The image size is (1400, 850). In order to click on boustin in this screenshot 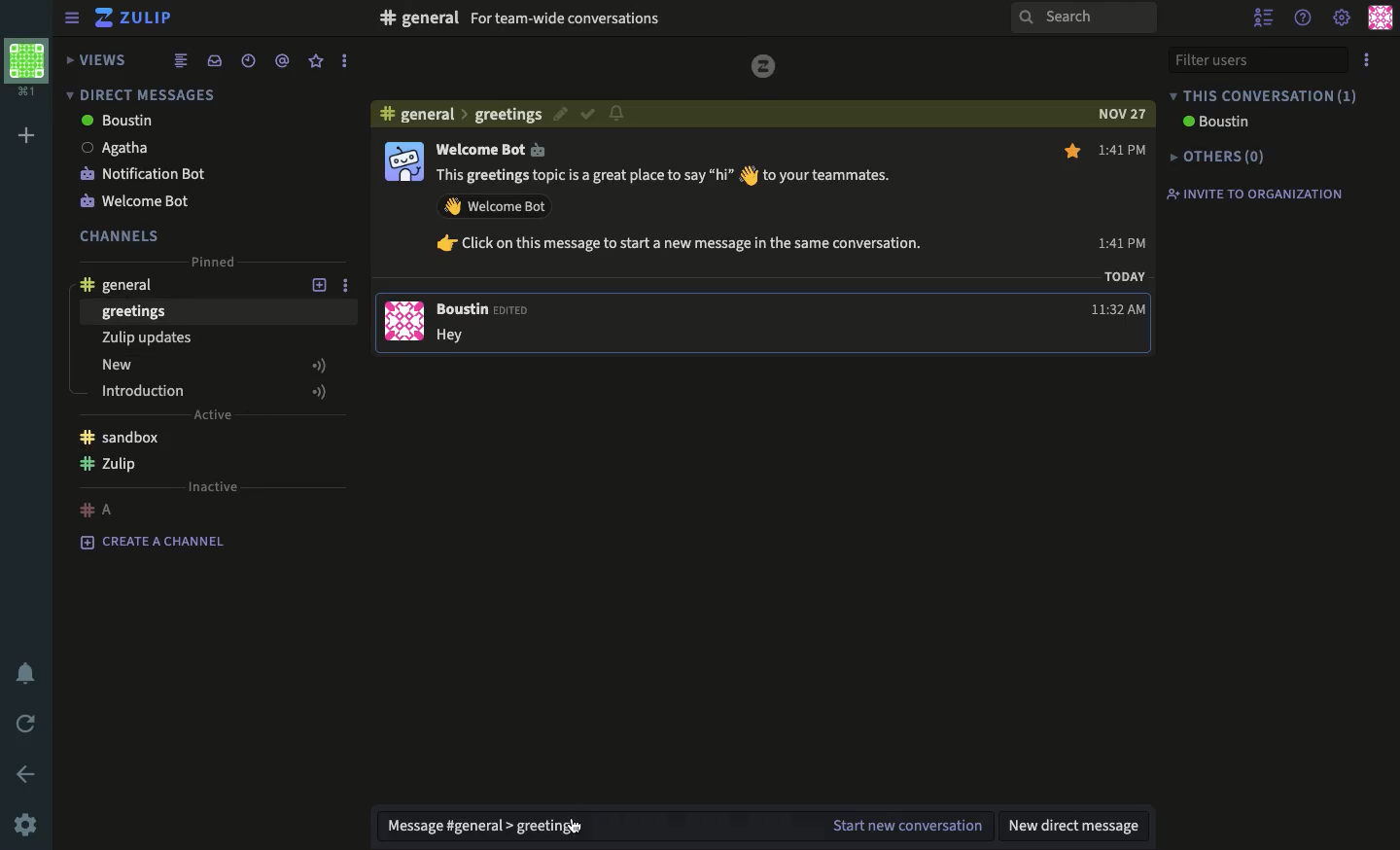, I will do `click(117, 122)`.